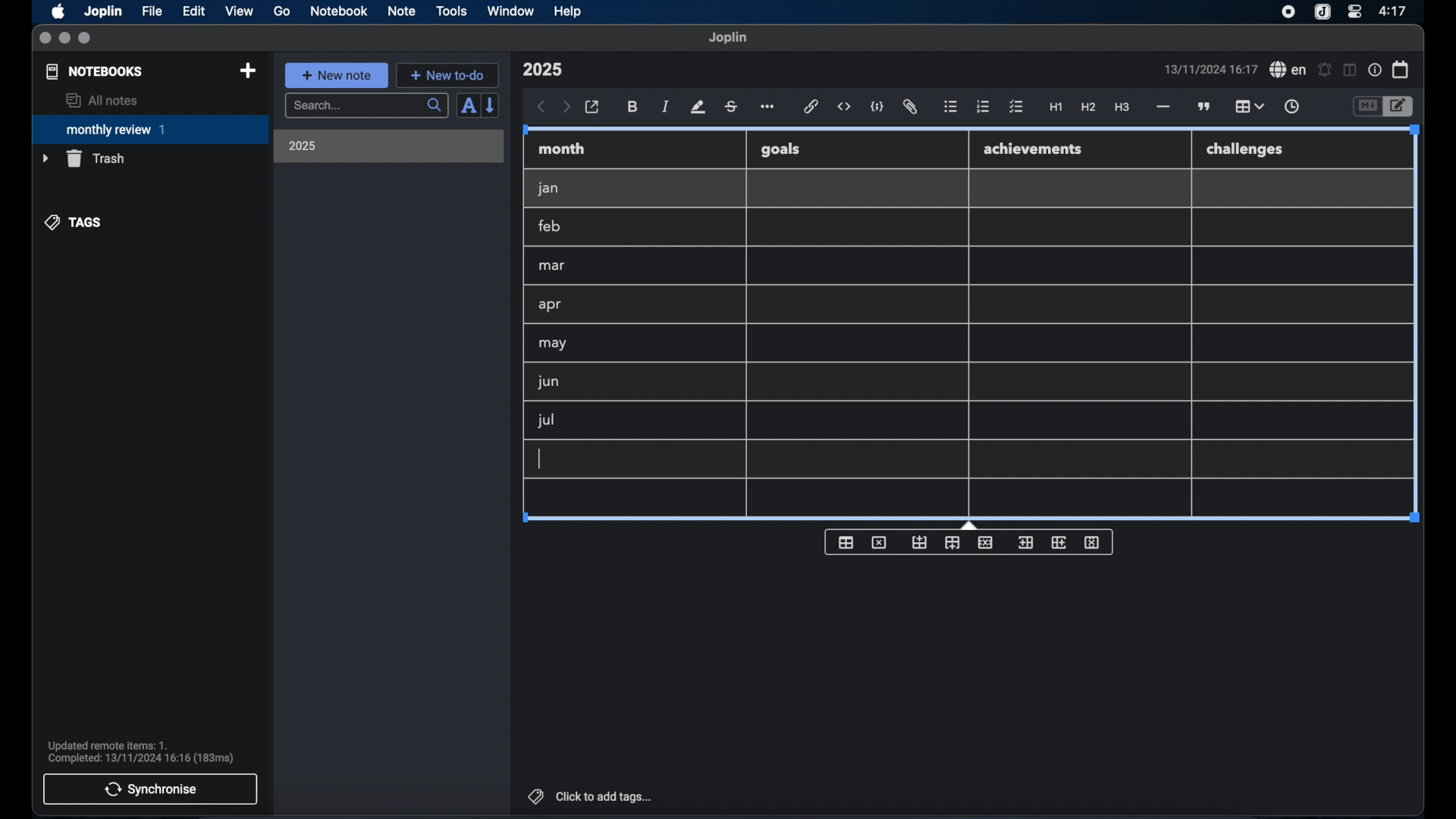  What do you see at coordinates (402, 11) in the screenshot?
I see `note` at bounding box center [402, 11].